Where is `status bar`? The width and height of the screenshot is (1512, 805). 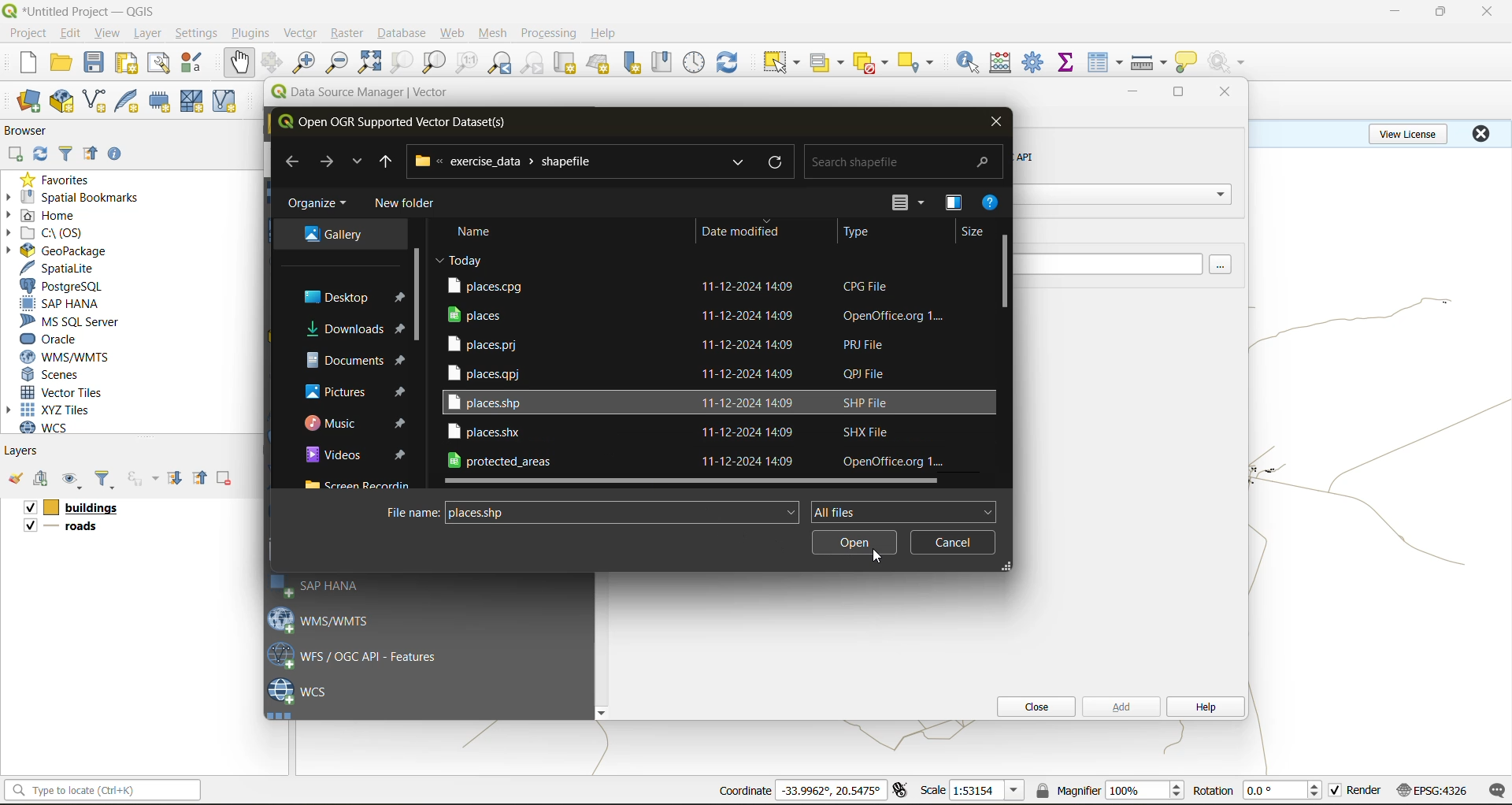
status bar is located at coordinates (100, 789).